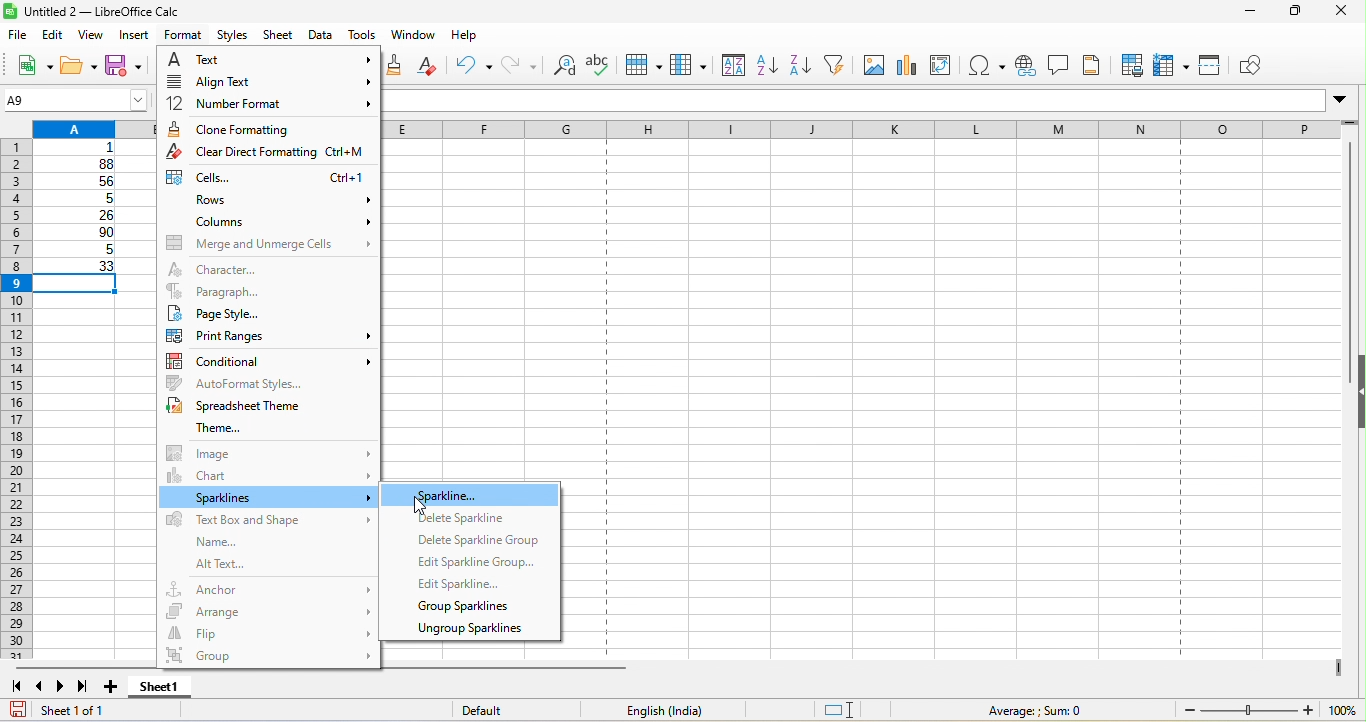 This screenshot has height=722, width=1366. What do you see at coordinates (1267, 710) in the screenshot?
I see `zoom` at bounding box center [1267, 710].